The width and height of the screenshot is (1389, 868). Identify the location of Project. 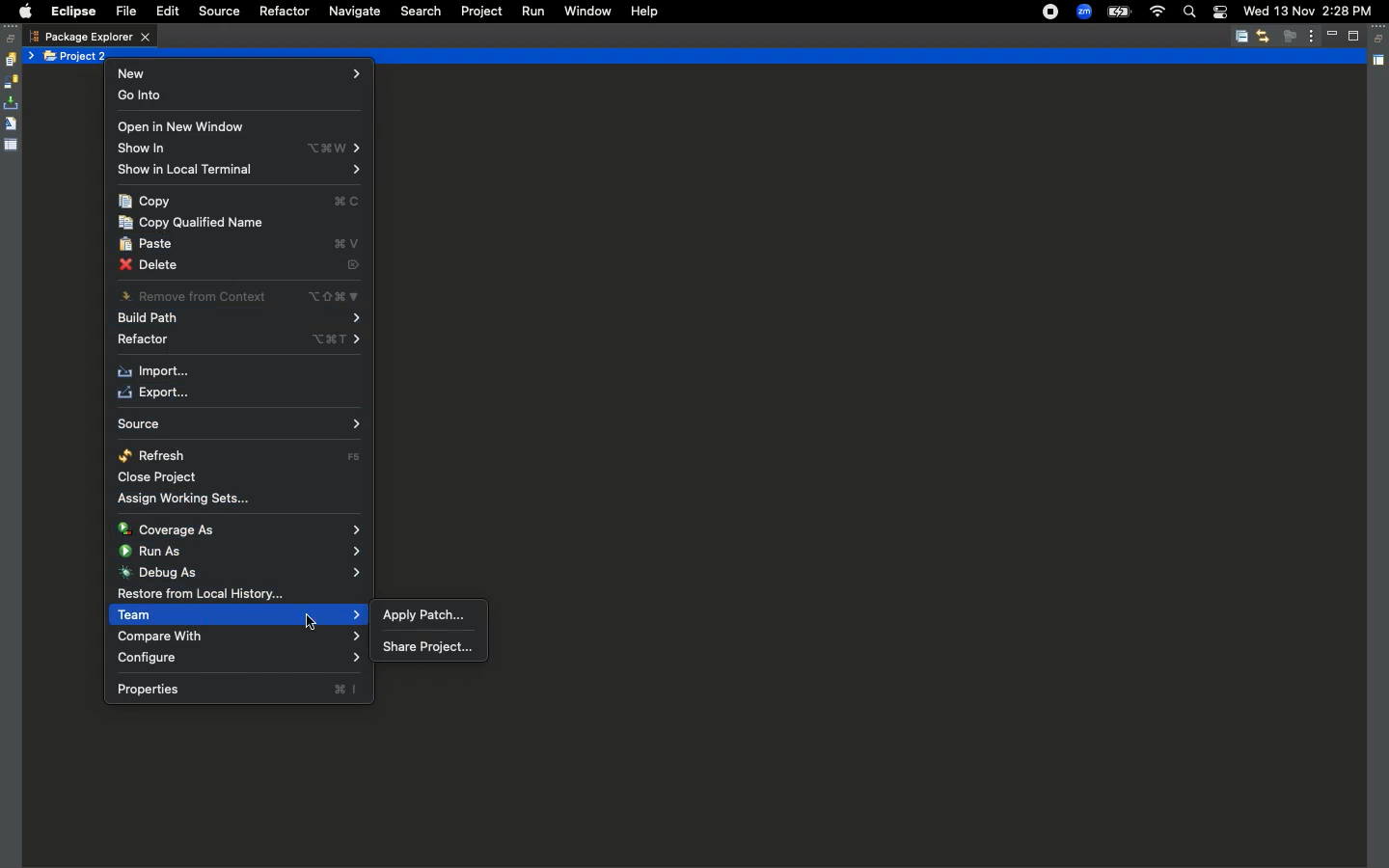
(477, 12).